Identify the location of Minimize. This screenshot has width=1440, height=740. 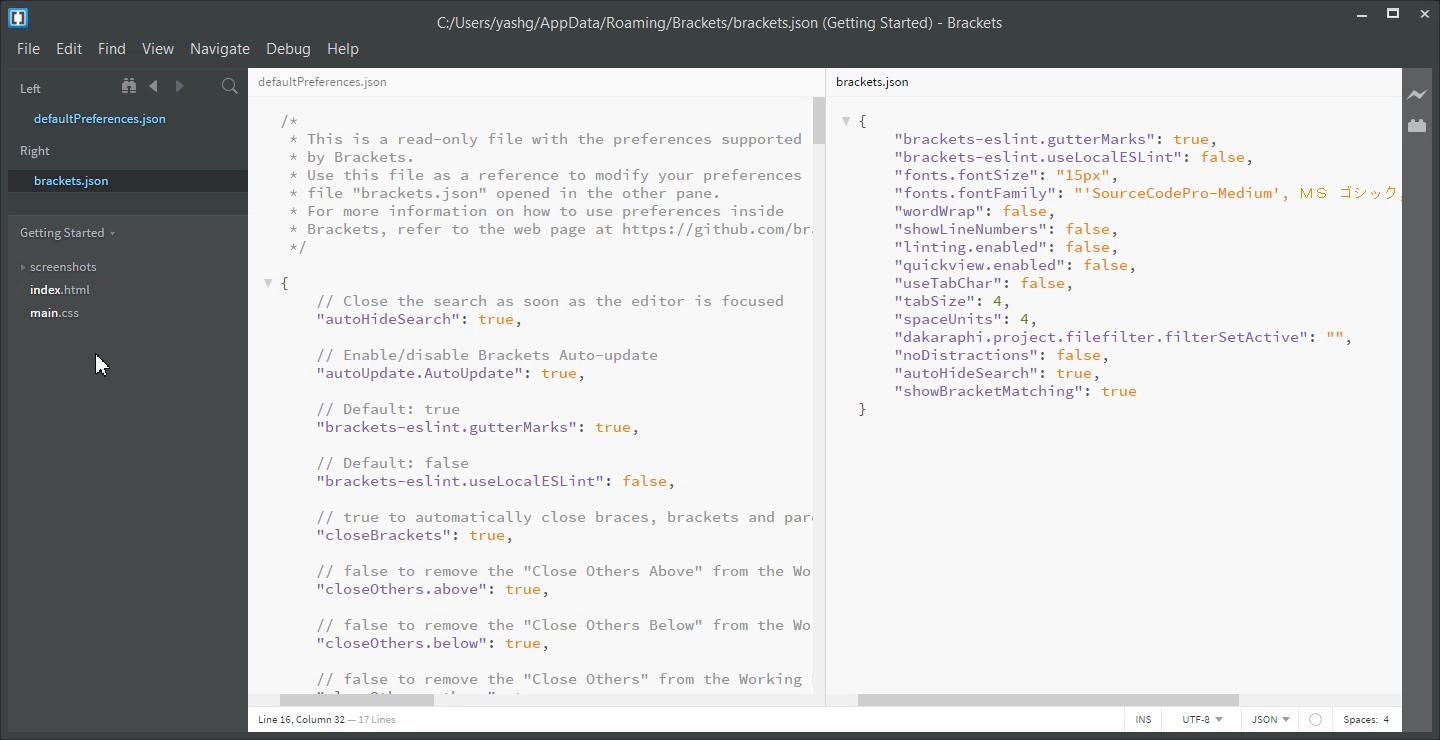
(1362, 11).